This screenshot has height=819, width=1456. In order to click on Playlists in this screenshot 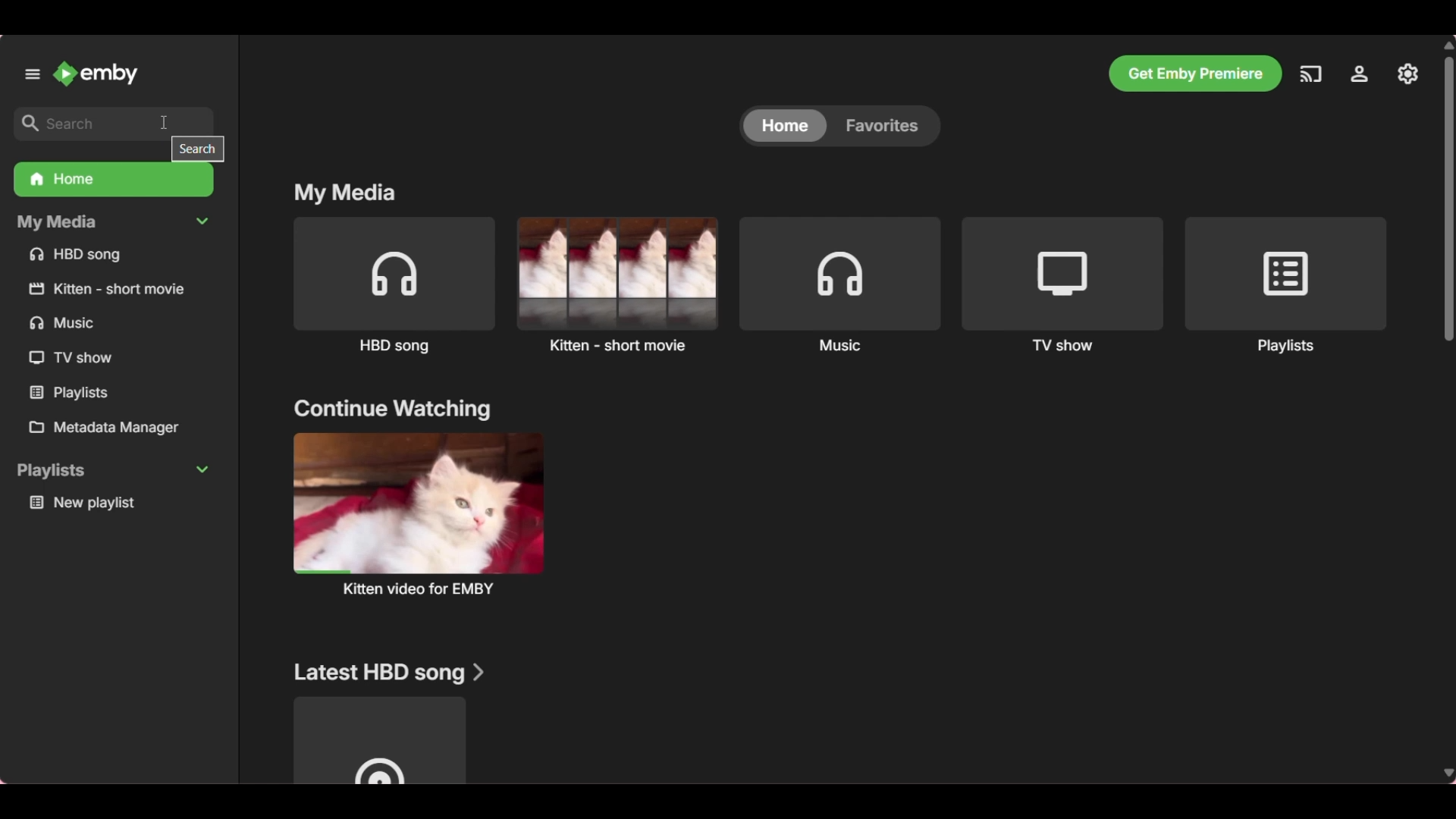, I will do `click(1285, 286)`.